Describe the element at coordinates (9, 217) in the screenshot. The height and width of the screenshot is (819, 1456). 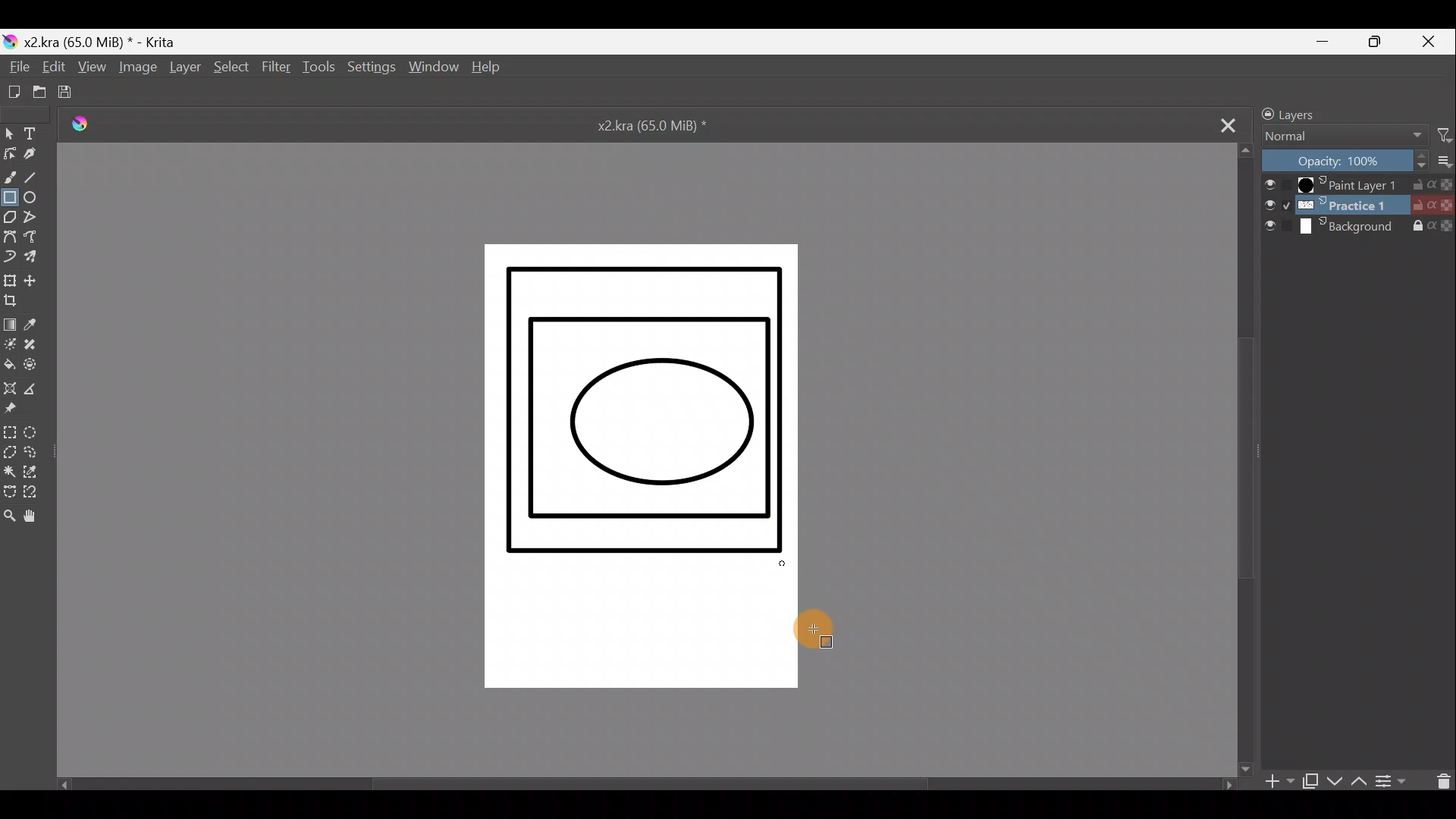
I see `Polygon tool` at that location.